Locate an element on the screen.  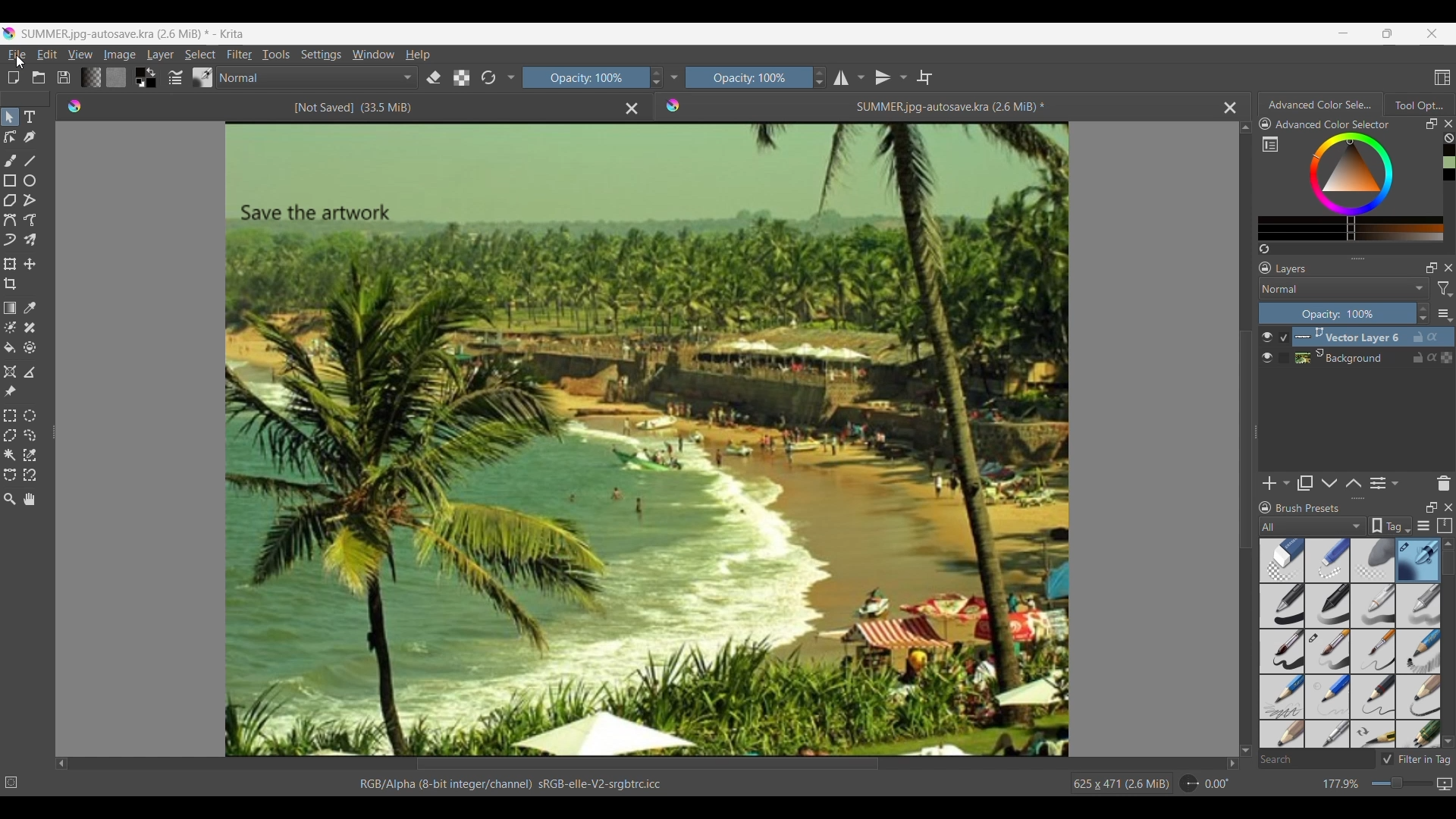
Filter options for brush presets is located at coordinates (1313, 526).